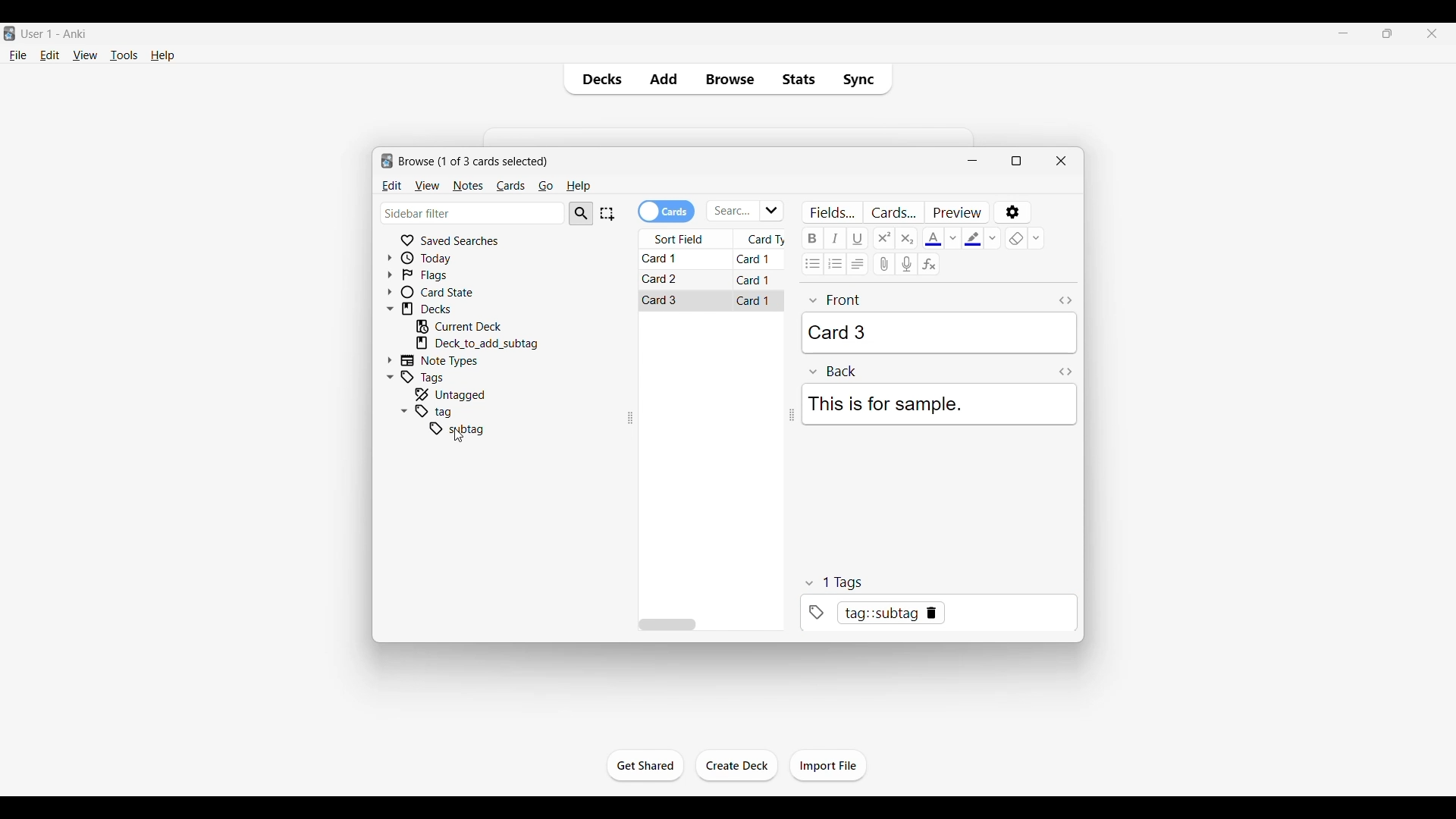  I want to click on Click to collapse Tags, so click(390, 377).